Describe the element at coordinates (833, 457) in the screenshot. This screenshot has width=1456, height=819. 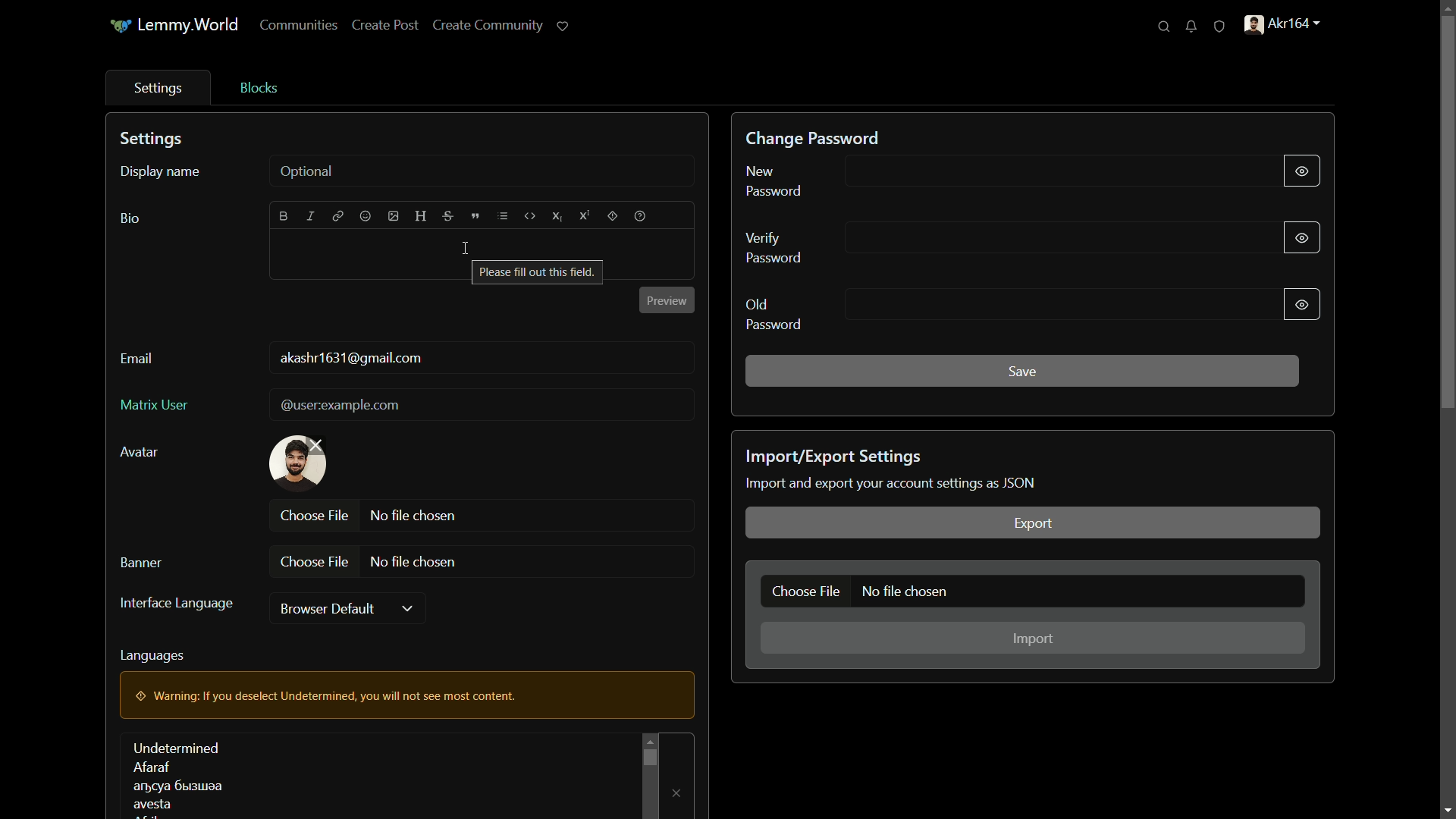
I see `import/export settings` at that location.